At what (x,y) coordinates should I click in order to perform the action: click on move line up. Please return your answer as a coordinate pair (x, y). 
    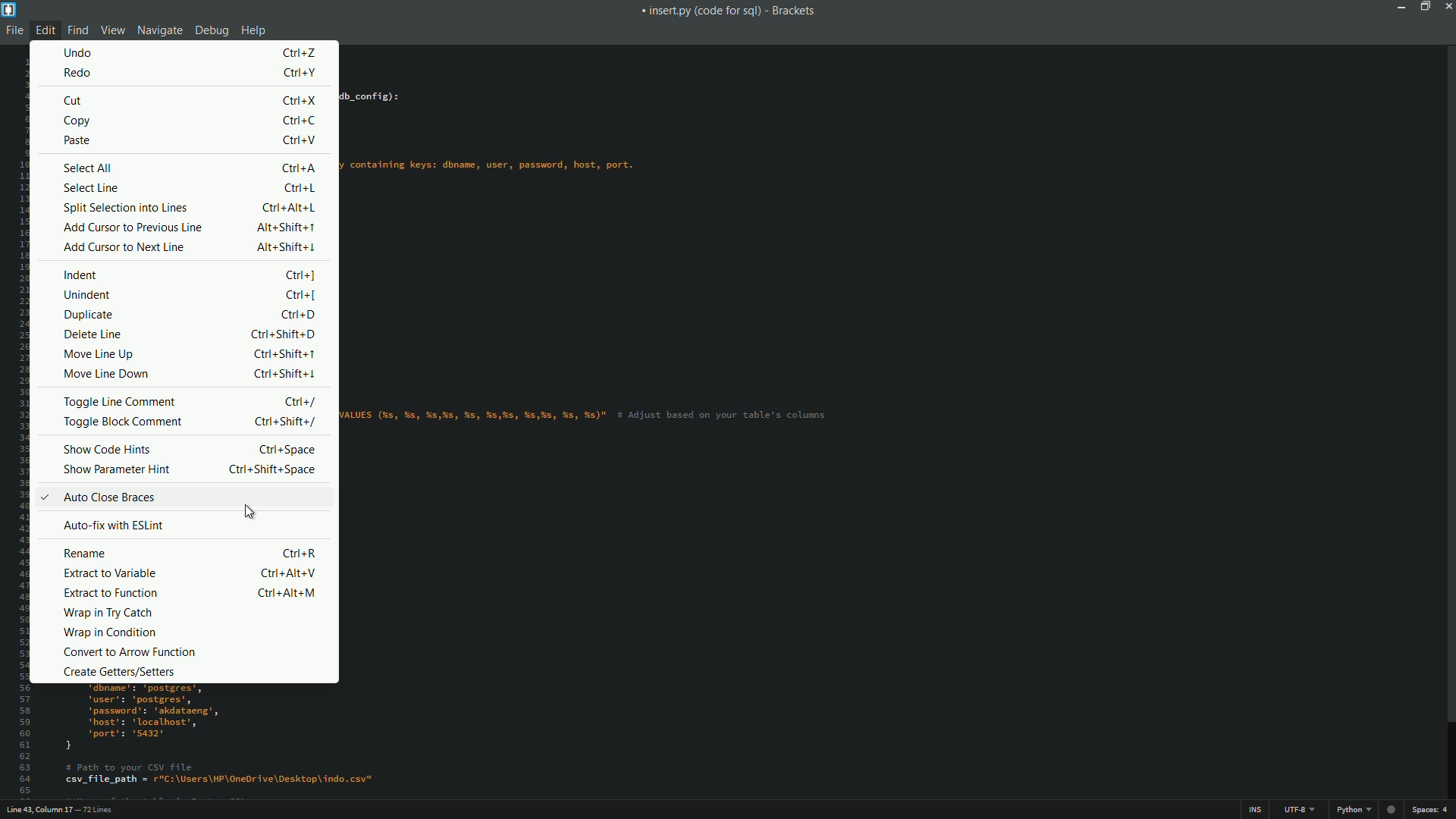
    Looking at the image, I should click on (97, 355).